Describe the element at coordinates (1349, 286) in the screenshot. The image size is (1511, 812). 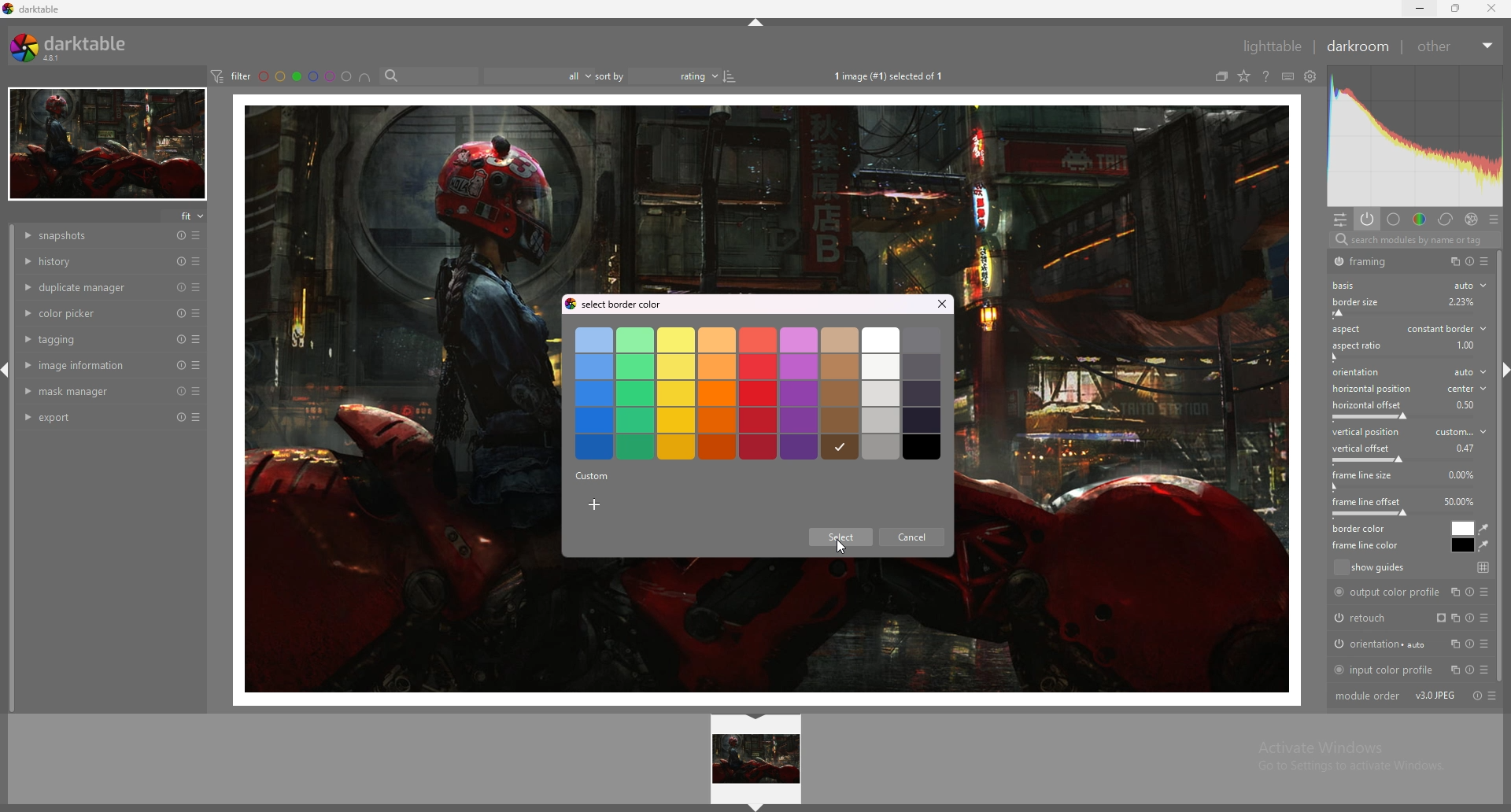
I see `basis` at that location.